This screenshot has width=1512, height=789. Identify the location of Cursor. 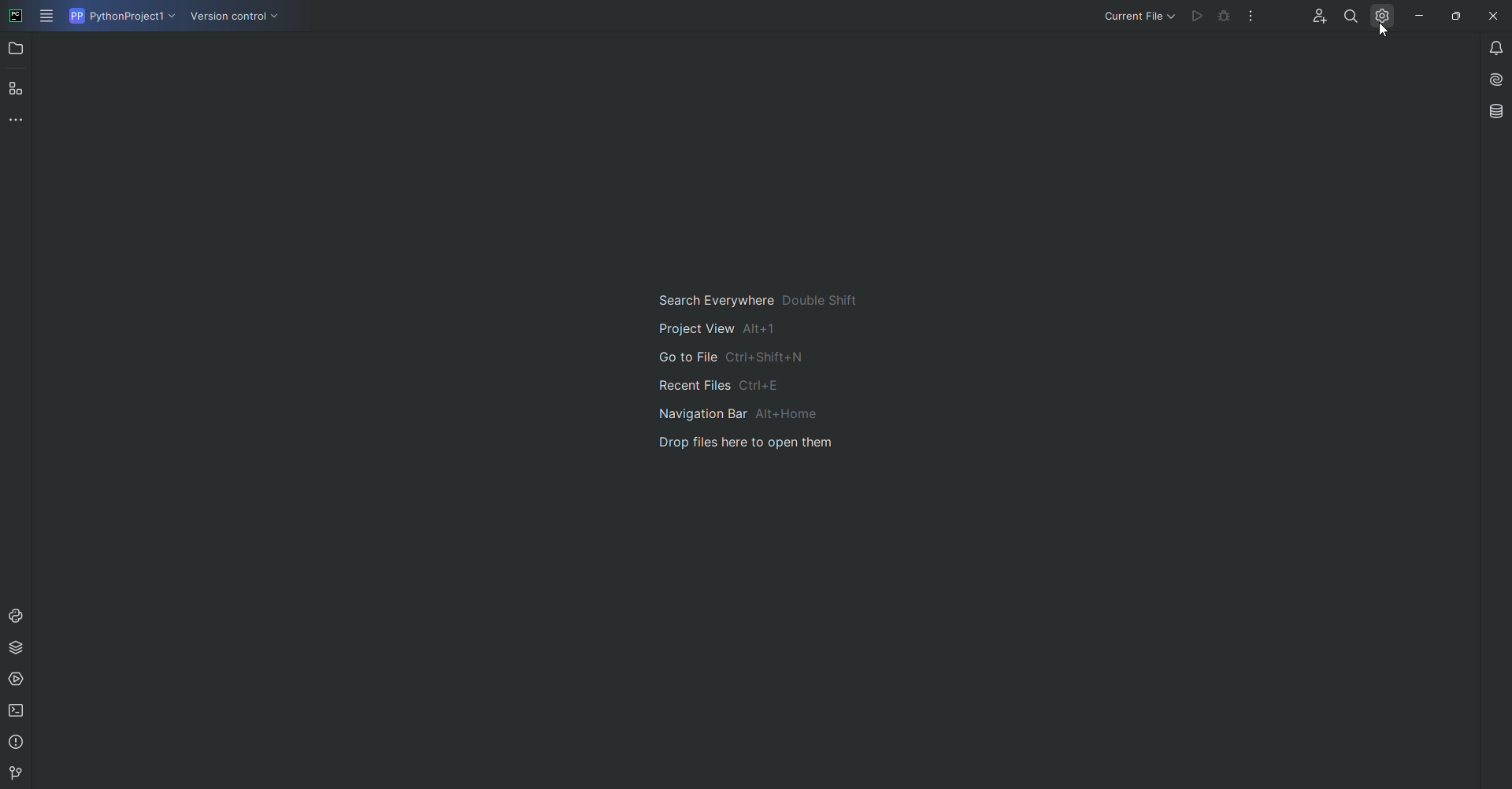
(1379, 33).